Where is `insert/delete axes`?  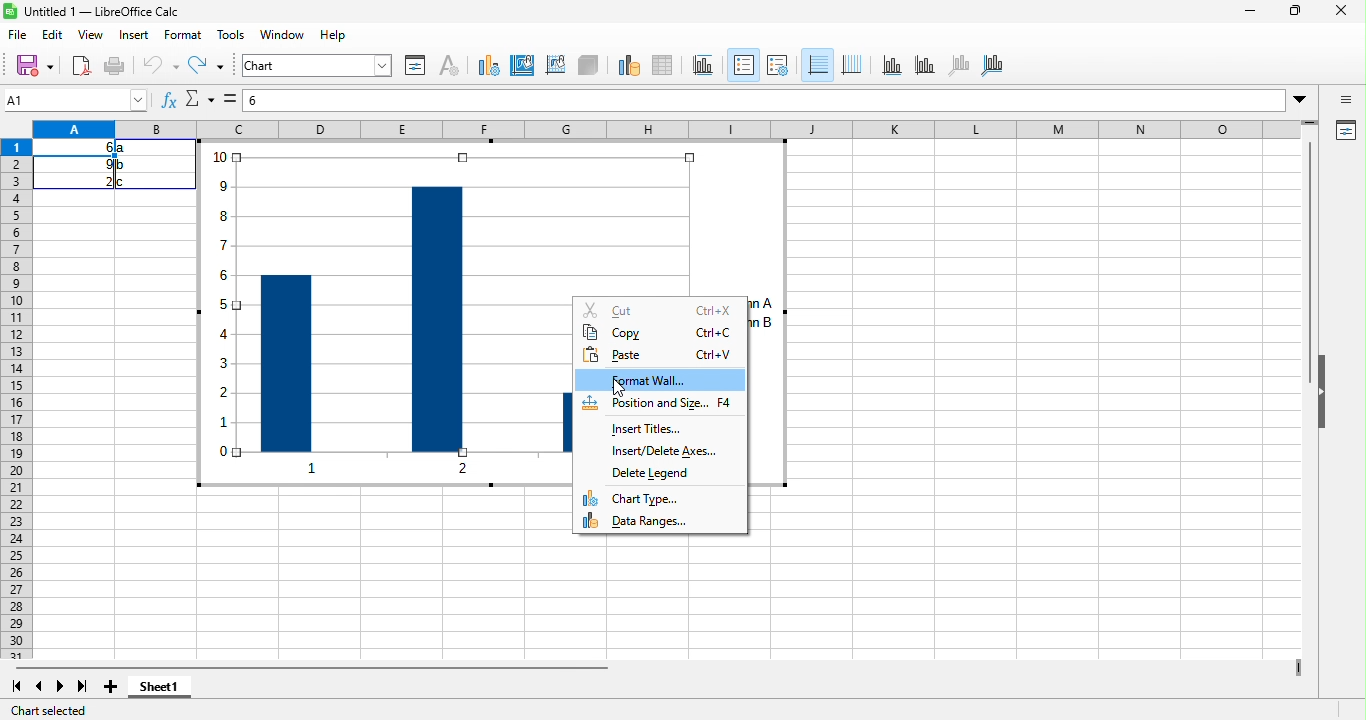 insert/delete axes is located at coordinates (672, 453).